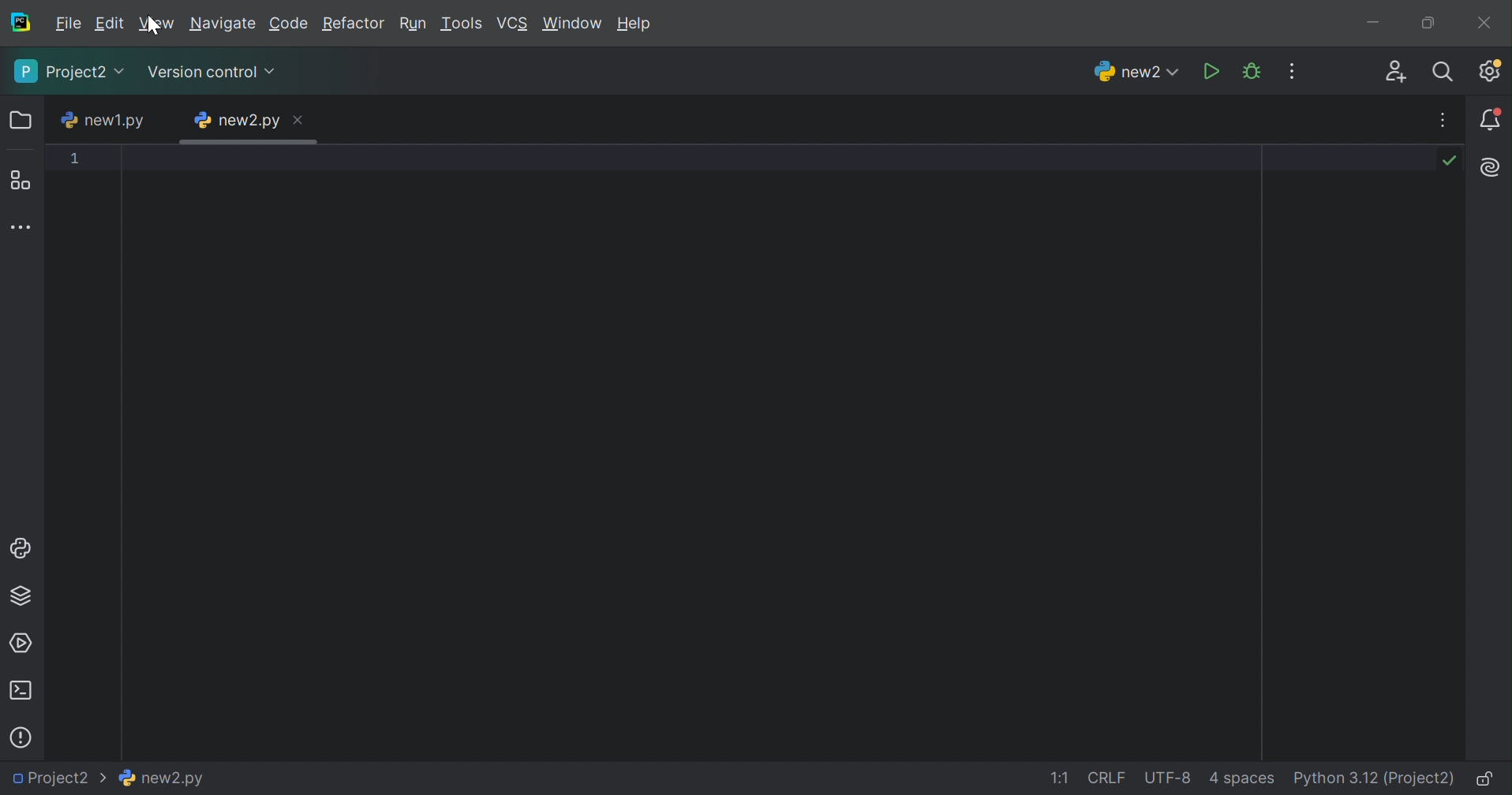 This screenshot has height=795, width=1512. Describe the element at coordinates (1439, 121) in the screenshot. I see `Recent files, tab actions, and more` at that location.